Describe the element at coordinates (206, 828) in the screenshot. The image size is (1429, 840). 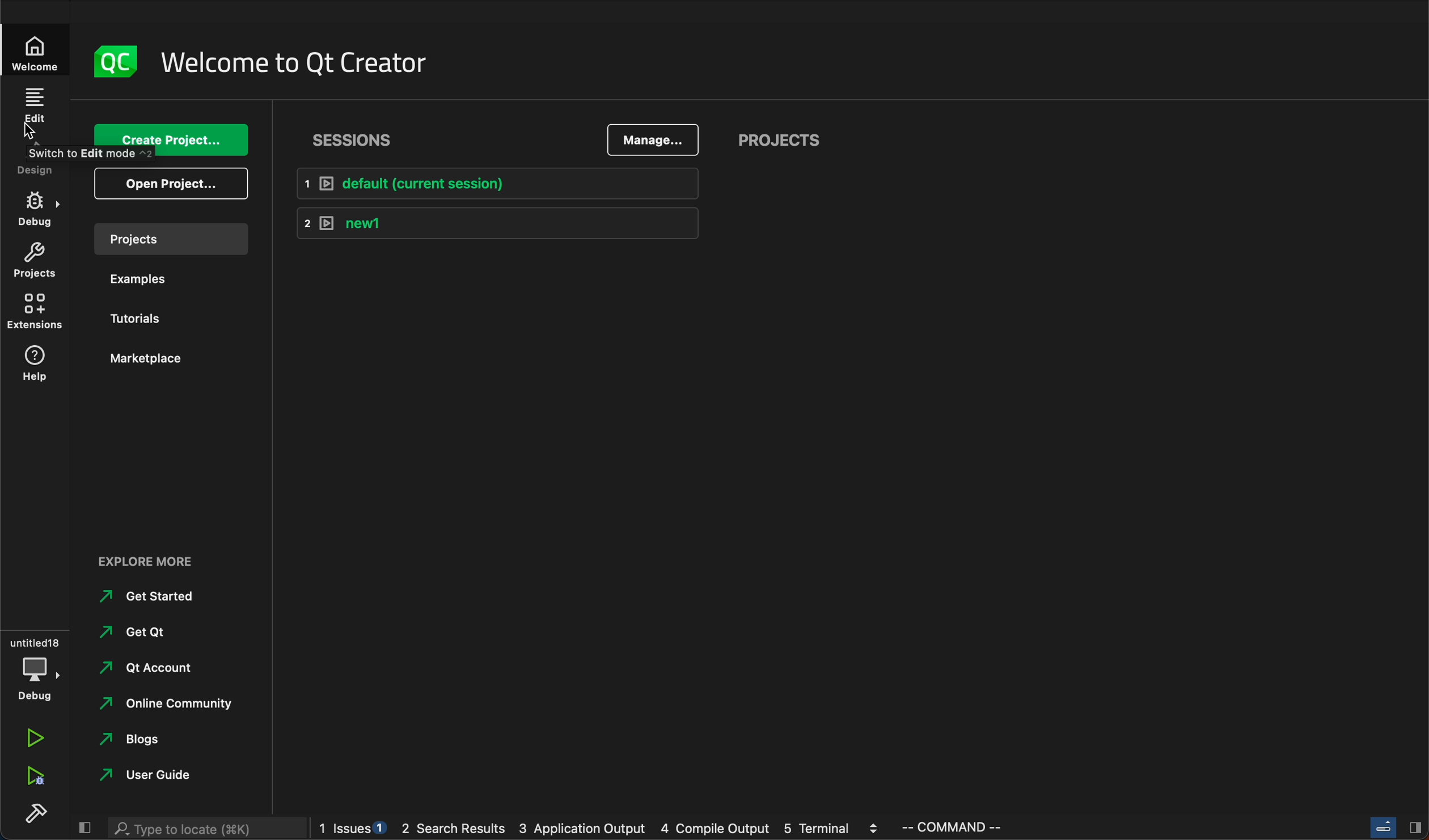
I see `search bar` at that location.